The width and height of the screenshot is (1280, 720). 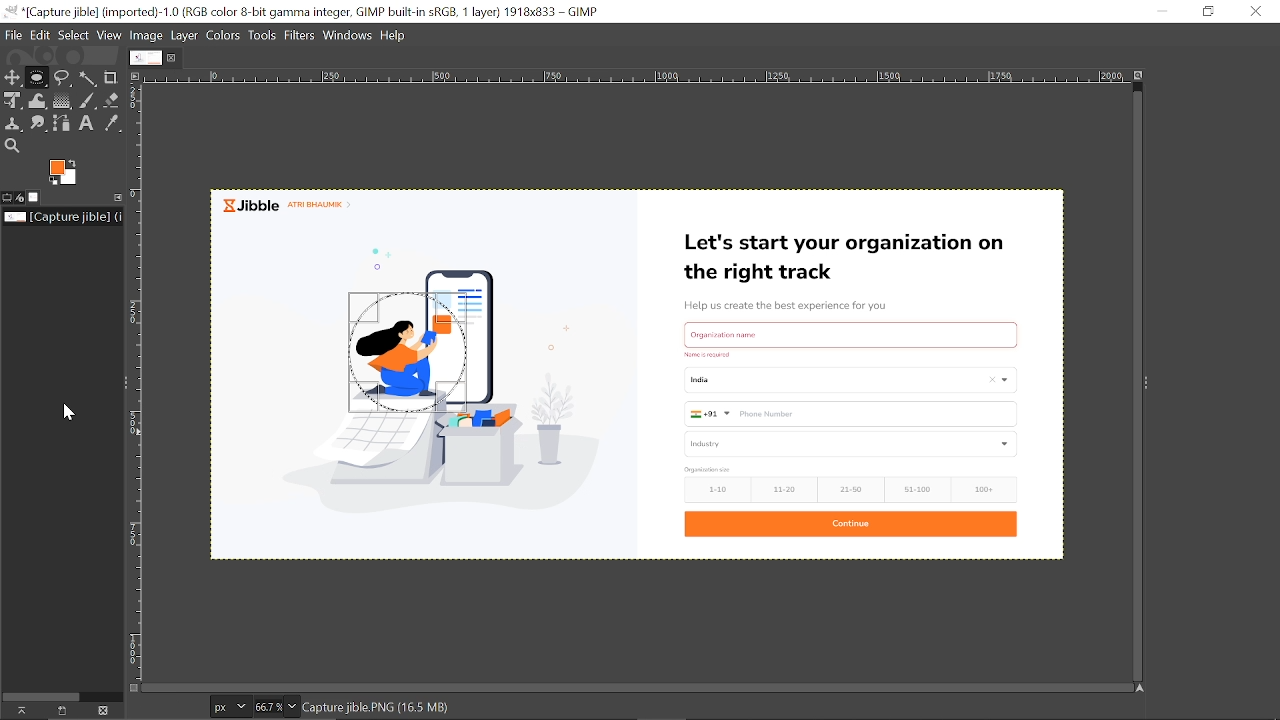 I want to click on Pixels, so click(x=227, y=708).